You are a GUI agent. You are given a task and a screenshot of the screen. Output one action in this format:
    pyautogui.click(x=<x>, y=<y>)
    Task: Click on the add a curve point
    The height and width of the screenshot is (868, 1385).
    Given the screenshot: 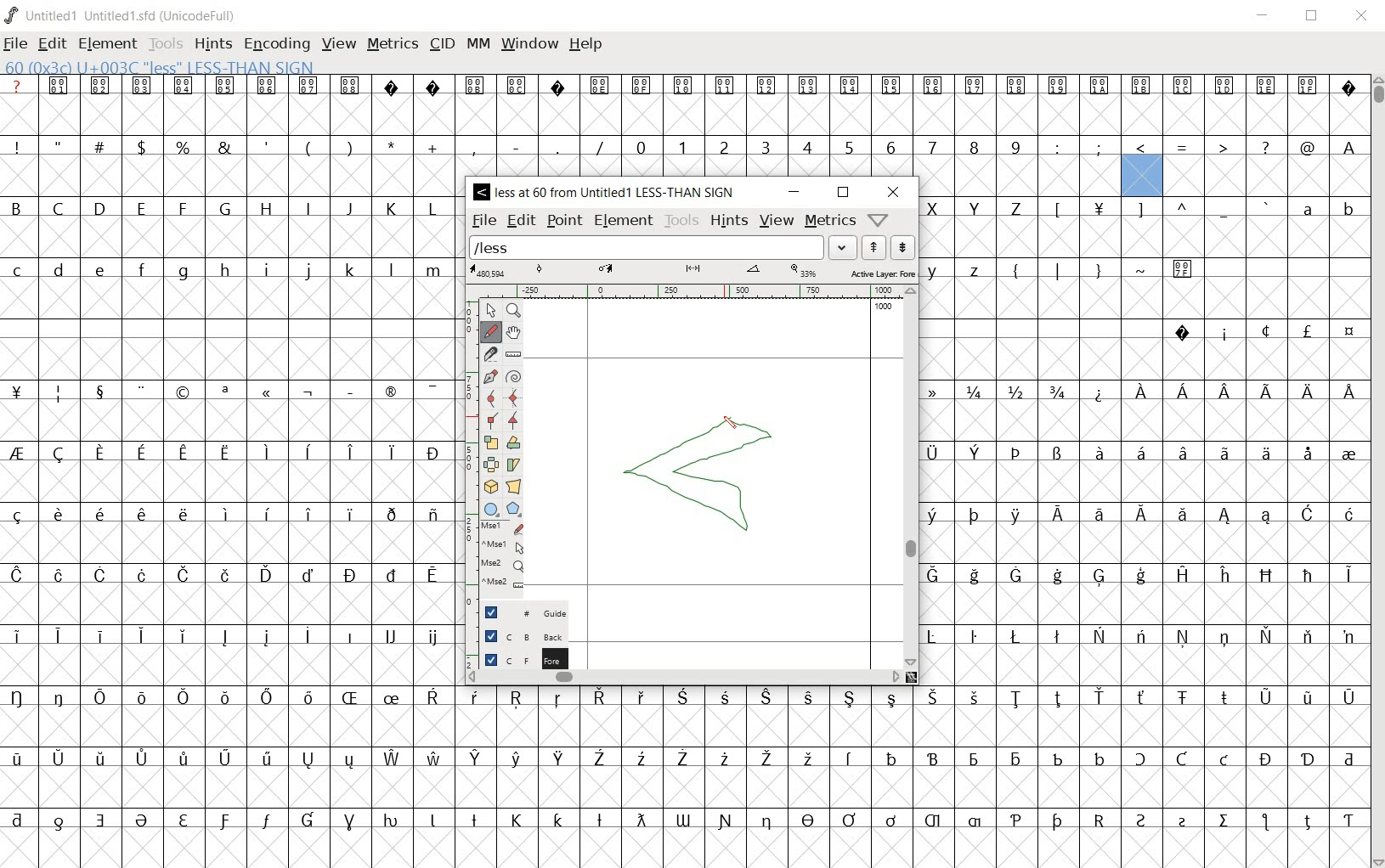 What is the action you would take?
    pyautogui.click(x=490, y=397)
    